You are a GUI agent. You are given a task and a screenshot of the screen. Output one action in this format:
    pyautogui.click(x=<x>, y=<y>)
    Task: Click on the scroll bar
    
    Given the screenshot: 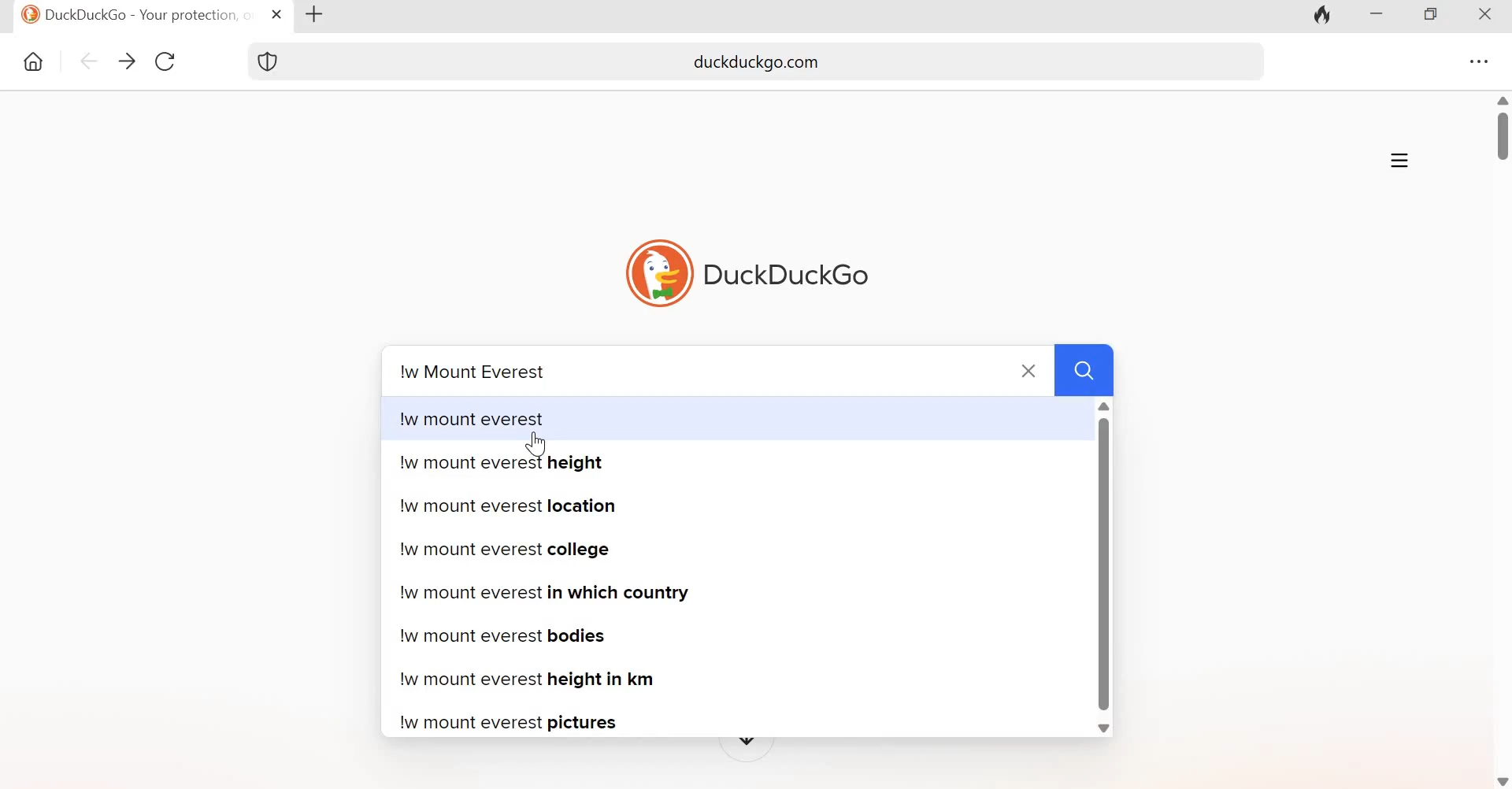 What is the action you would take?
    pyautogui.click(x=1099, y=571)
    